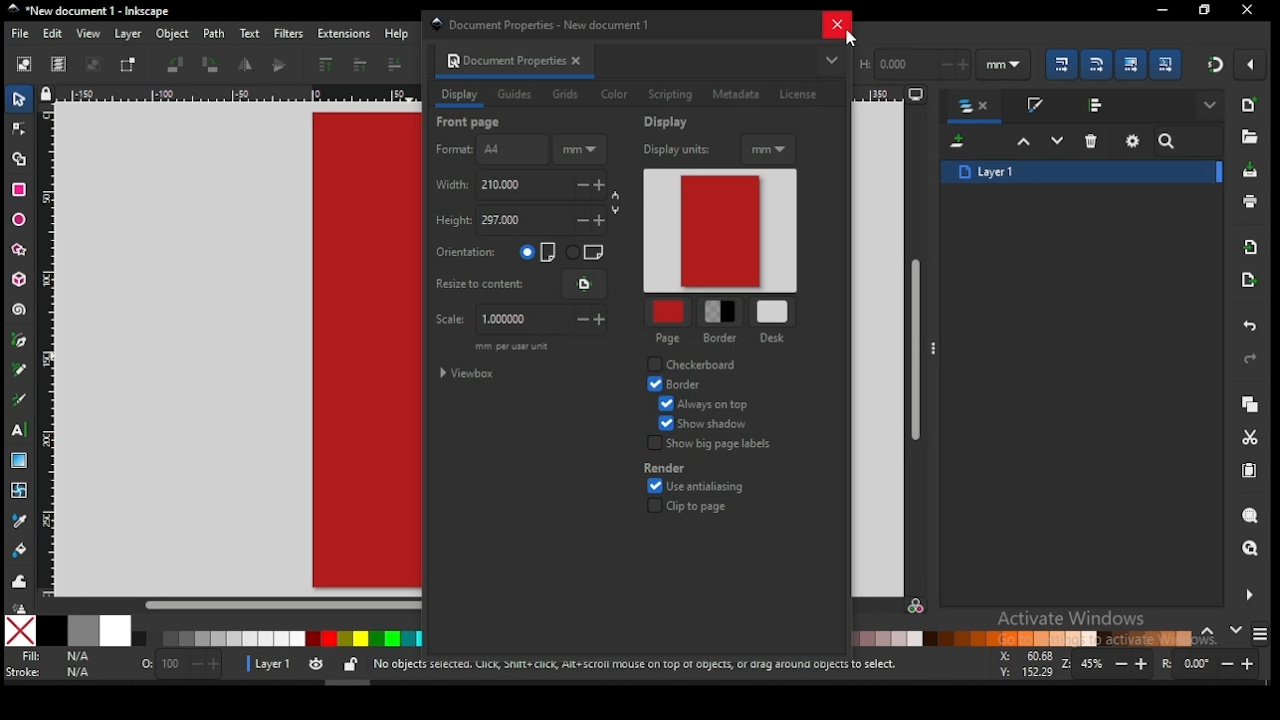  What do you see at coordinates (21, 548) in the screenshot?
I see `paint bucket tool` at bounding box center [21, 548].